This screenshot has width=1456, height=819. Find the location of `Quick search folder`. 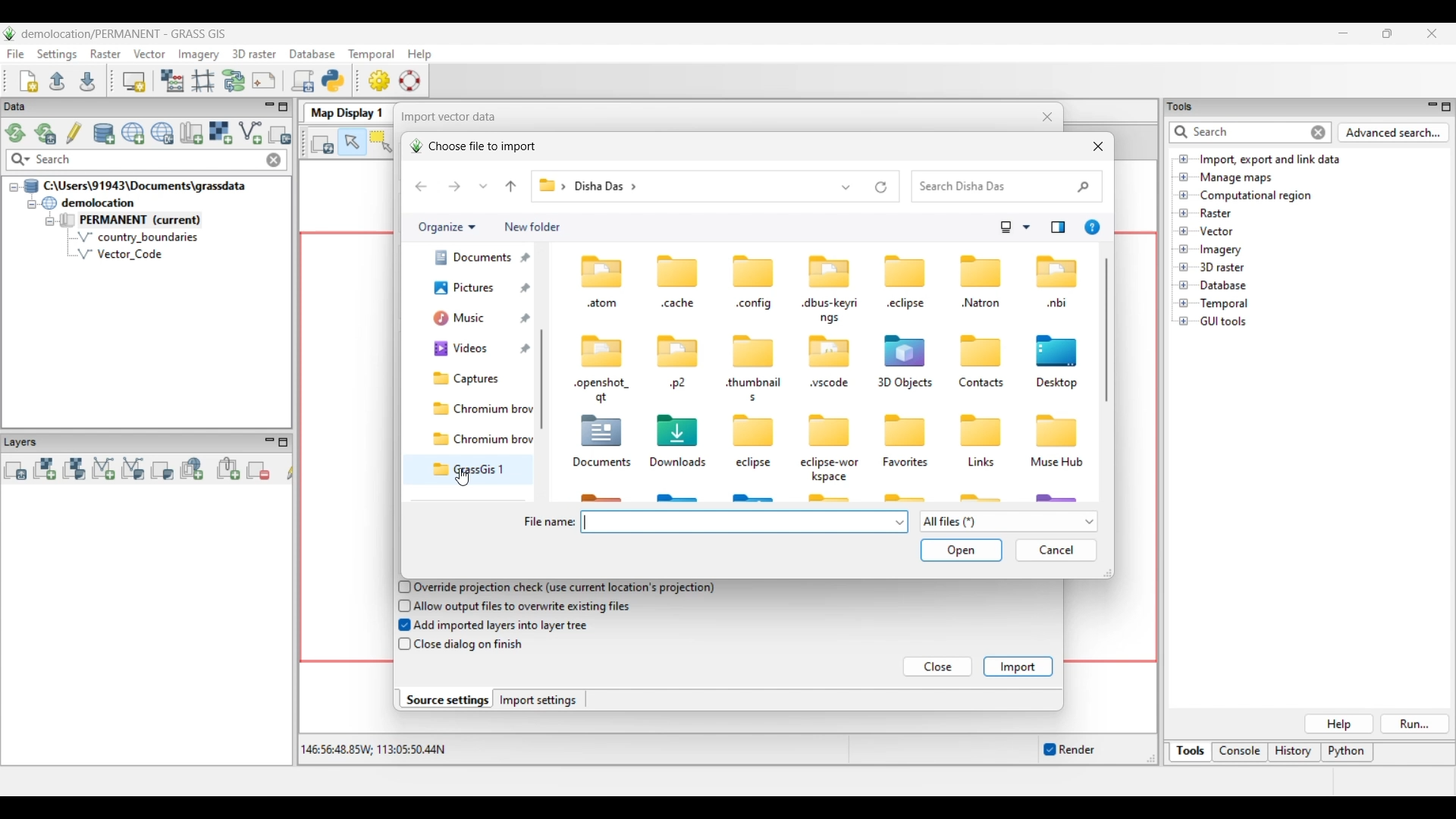

Quick search folder is located at coordinates (1007, 187).